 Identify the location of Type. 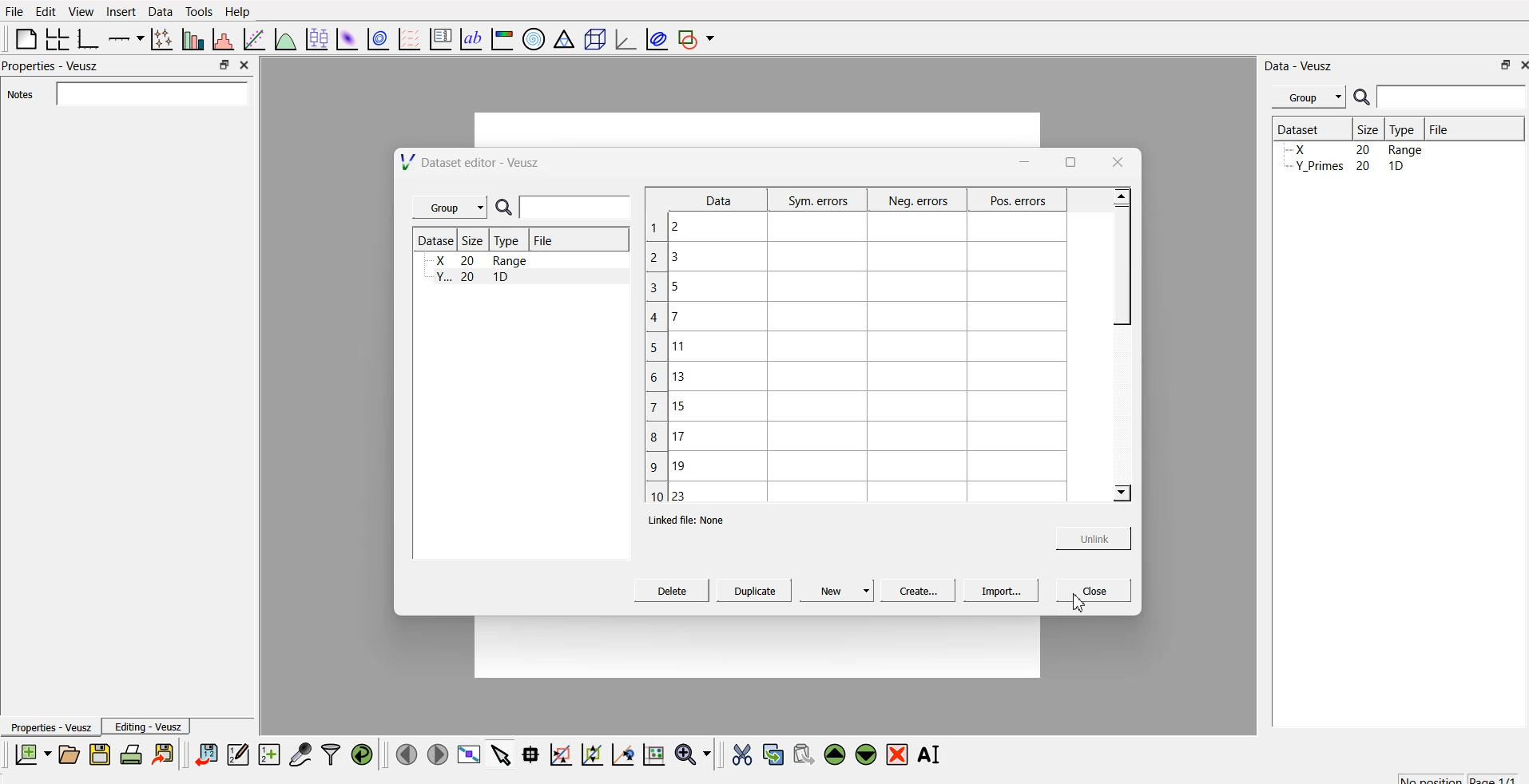
(1406, 129).